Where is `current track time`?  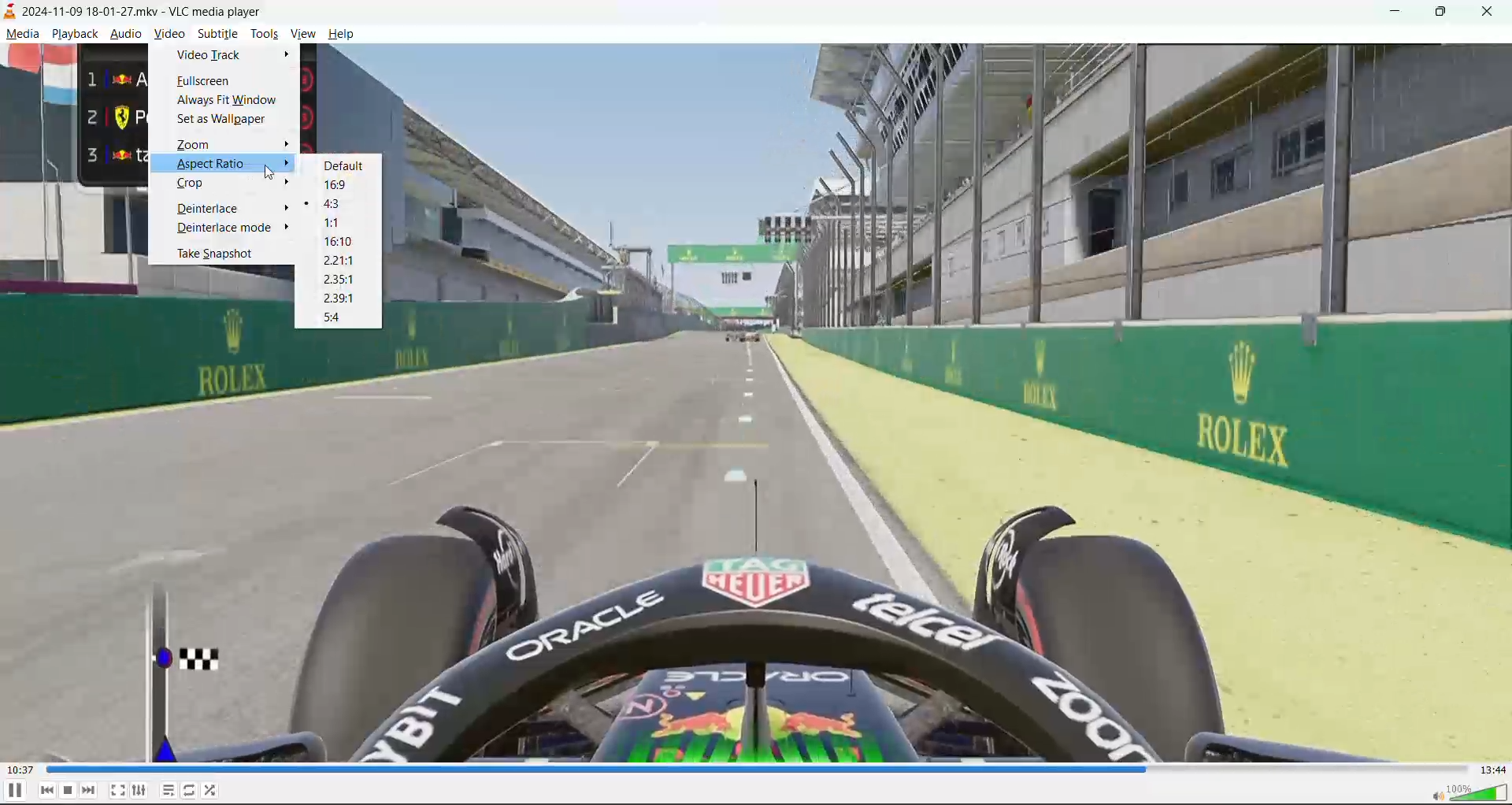 current track time is located at coordinates (22, 768).